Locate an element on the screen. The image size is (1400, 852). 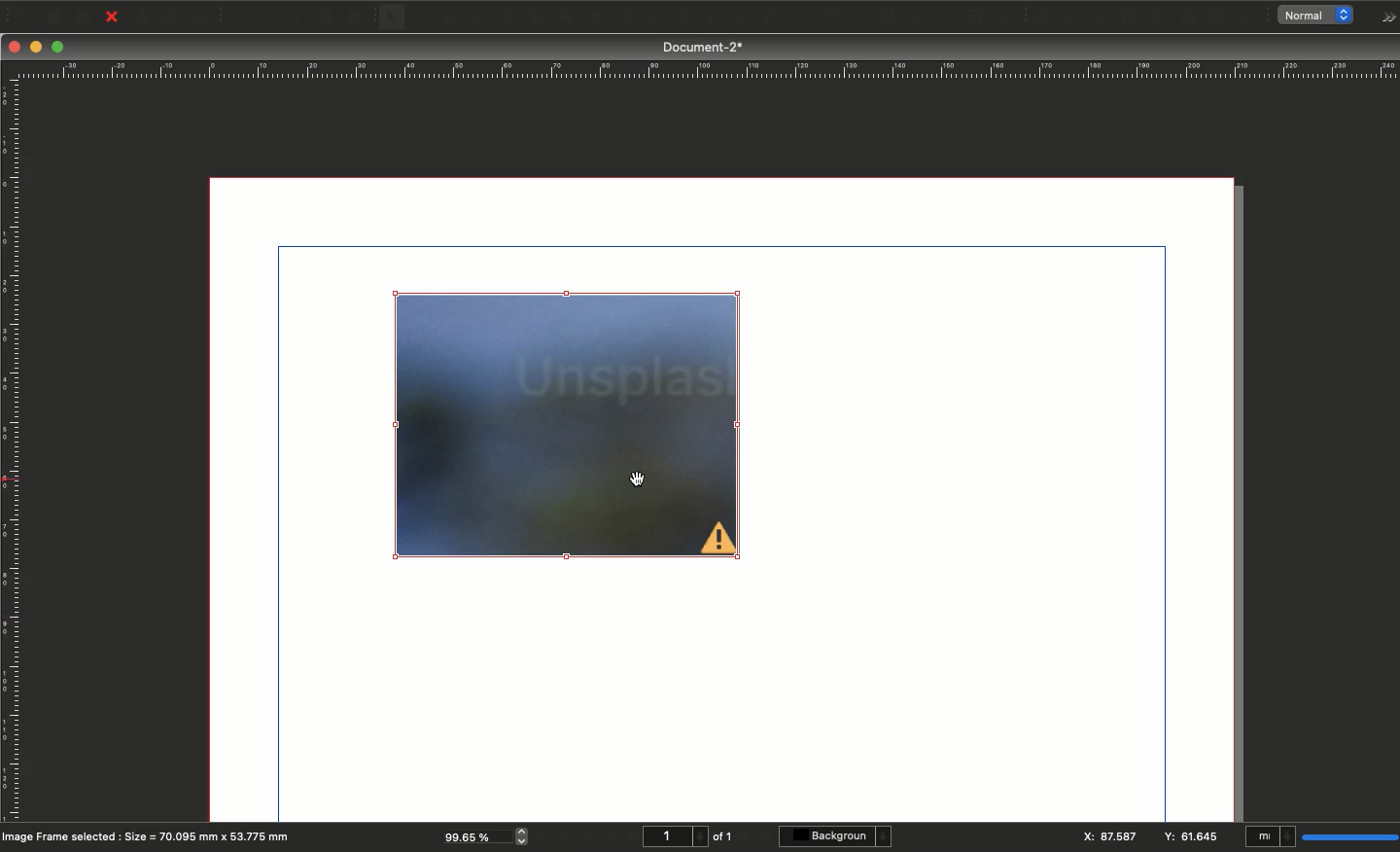
Cut is located at coordinates (296, 18).